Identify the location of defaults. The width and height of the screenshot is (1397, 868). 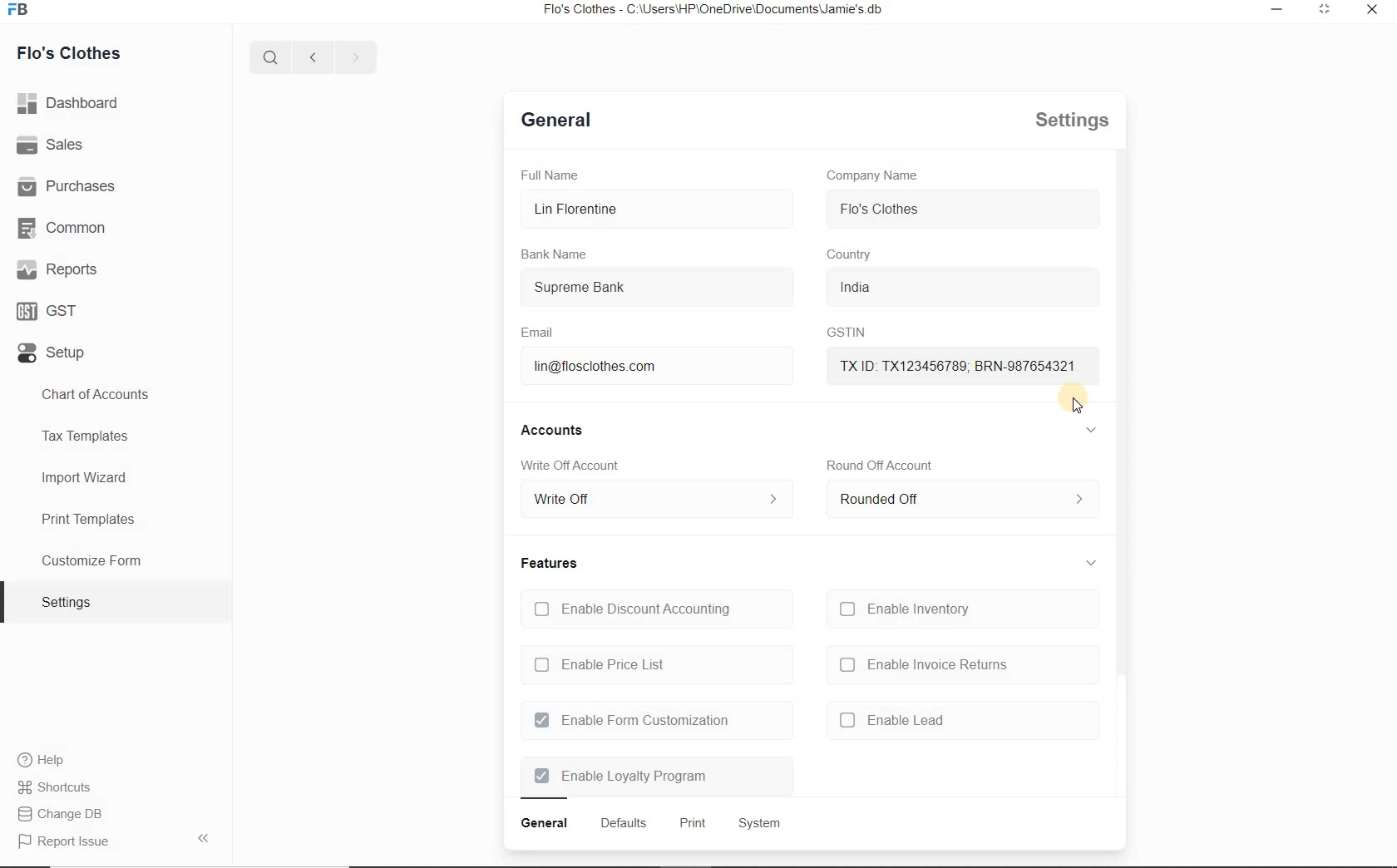
(623, 823).